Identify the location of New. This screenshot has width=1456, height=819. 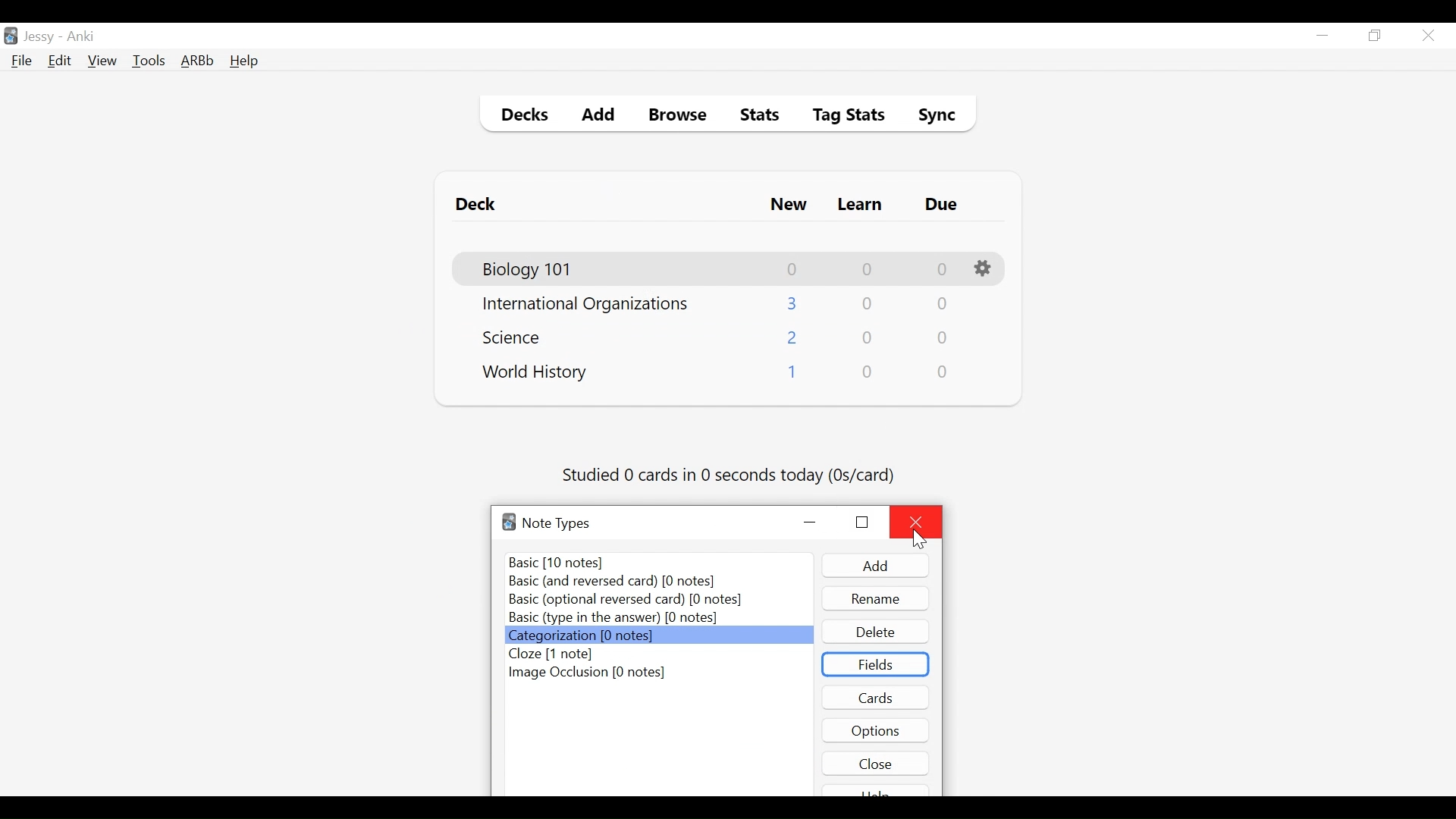
(789, 206).